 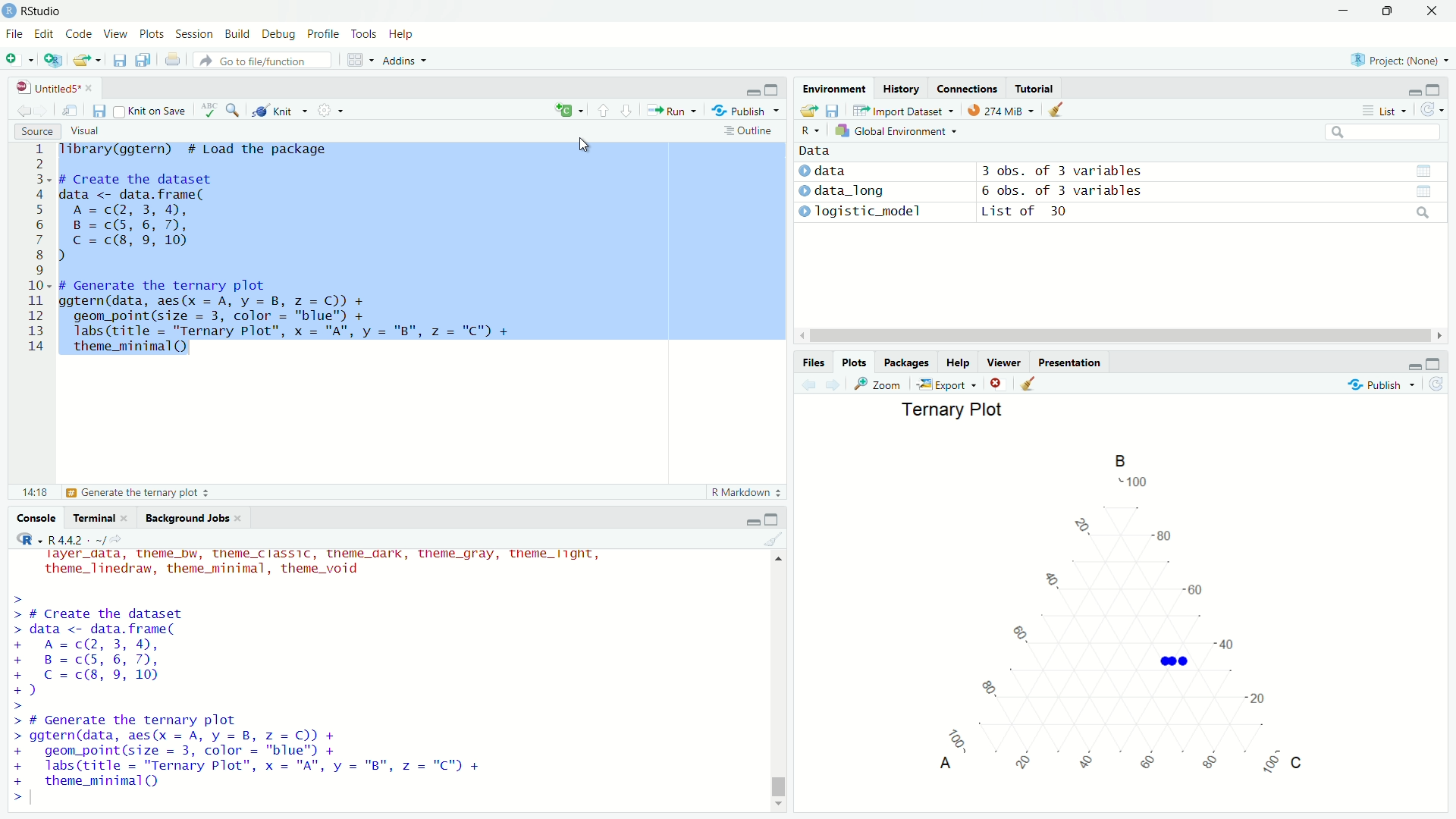 What do you see at coordinates (1381, 111) in the screenshot?
I see `List` at bounding box center [1381, 111].